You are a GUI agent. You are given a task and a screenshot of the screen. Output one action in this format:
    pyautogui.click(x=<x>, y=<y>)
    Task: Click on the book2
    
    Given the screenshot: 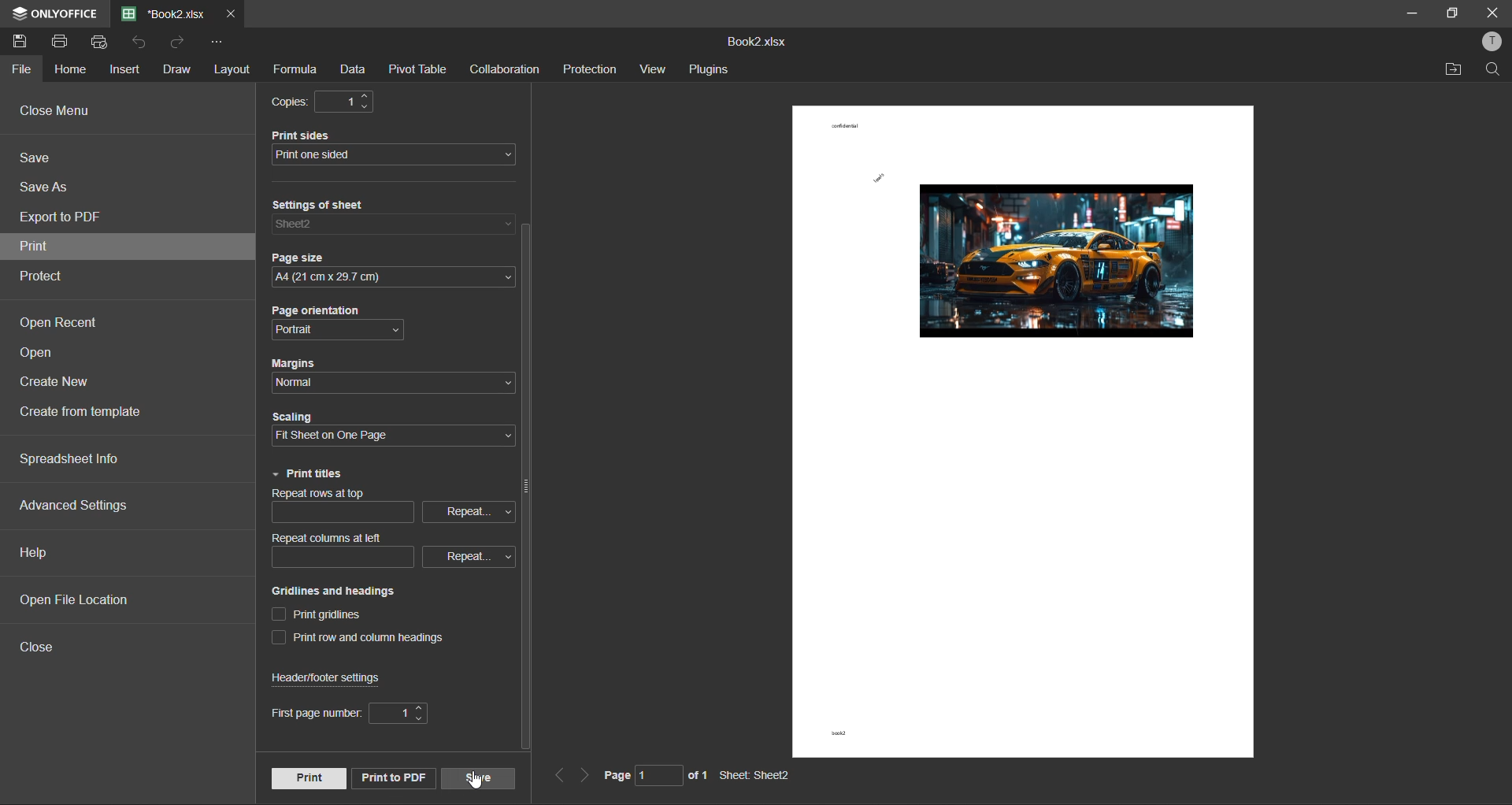 What is the action you would take?
    pyautogui.click(x=840, y=733)
    